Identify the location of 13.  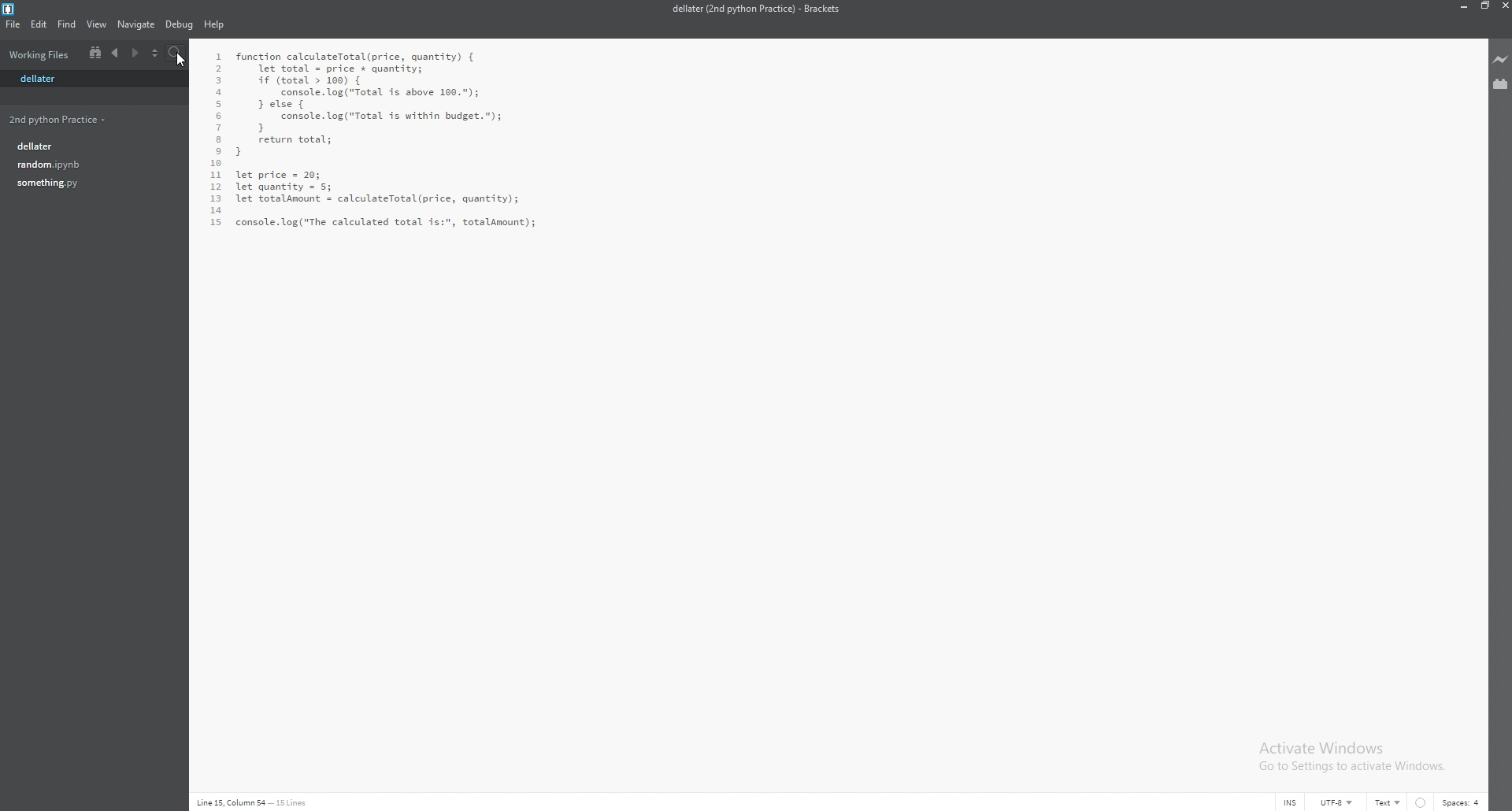
(216, 198).